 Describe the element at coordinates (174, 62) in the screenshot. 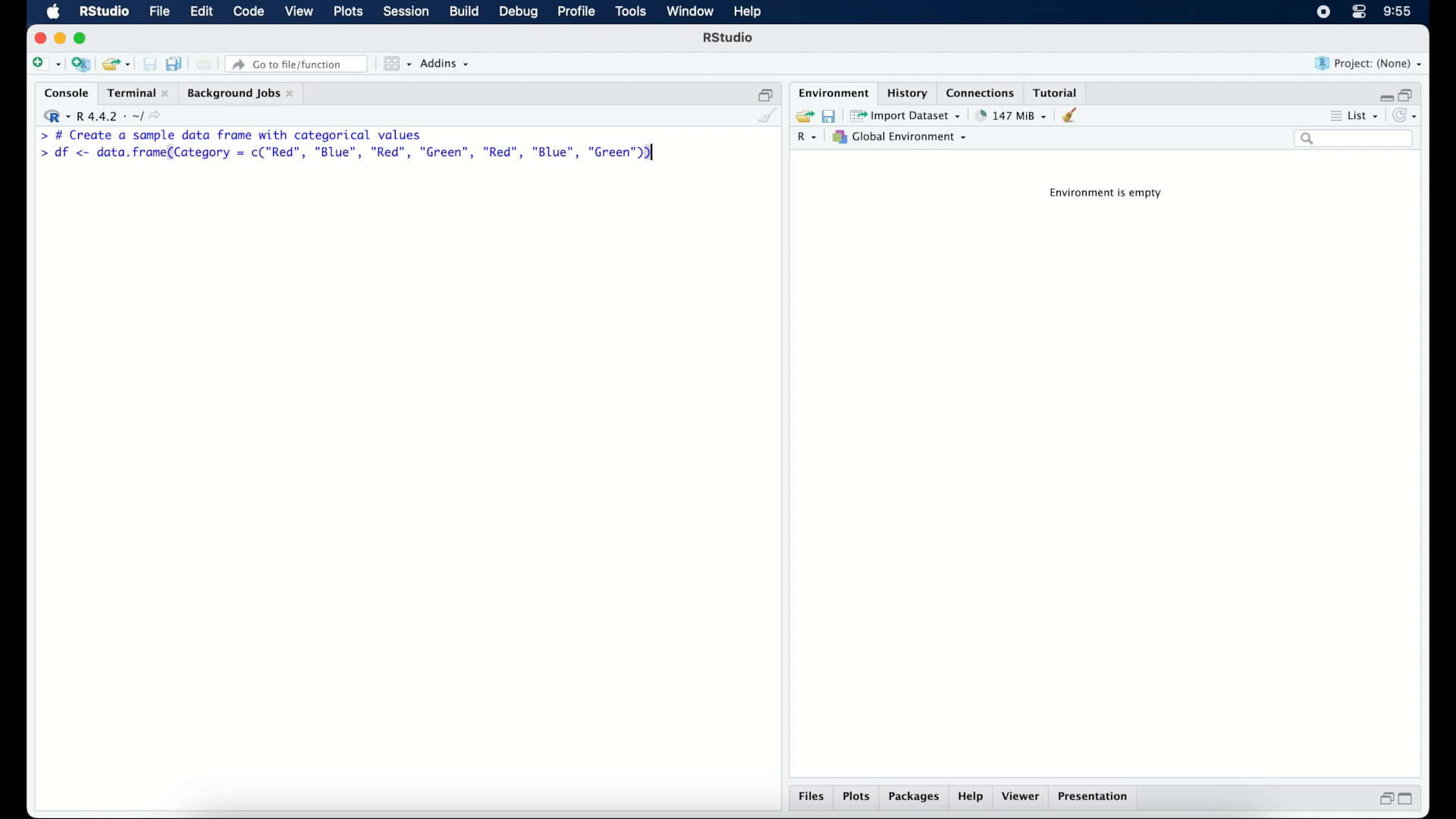

I see `save all open documents` at that location.